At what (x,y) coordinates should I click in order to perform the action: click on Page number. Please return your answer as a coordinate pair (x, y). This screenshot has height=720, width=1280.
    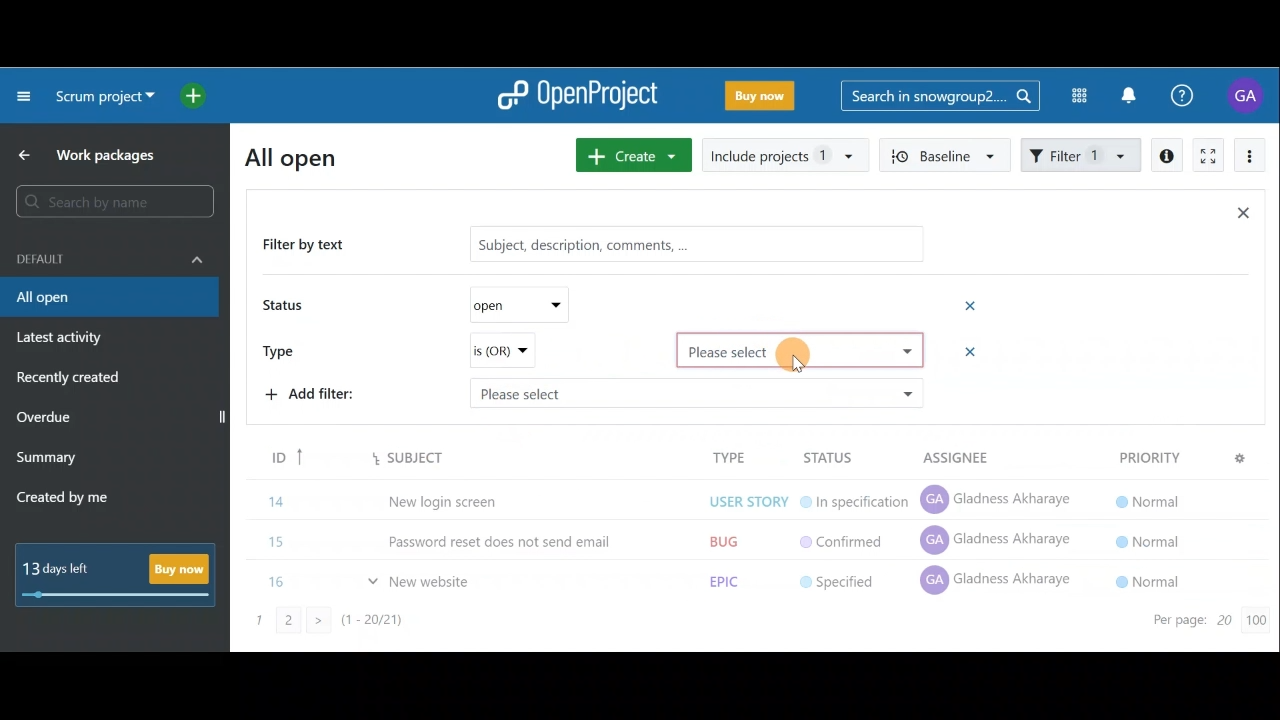
    Looking at the image, I should click on (360, 626).